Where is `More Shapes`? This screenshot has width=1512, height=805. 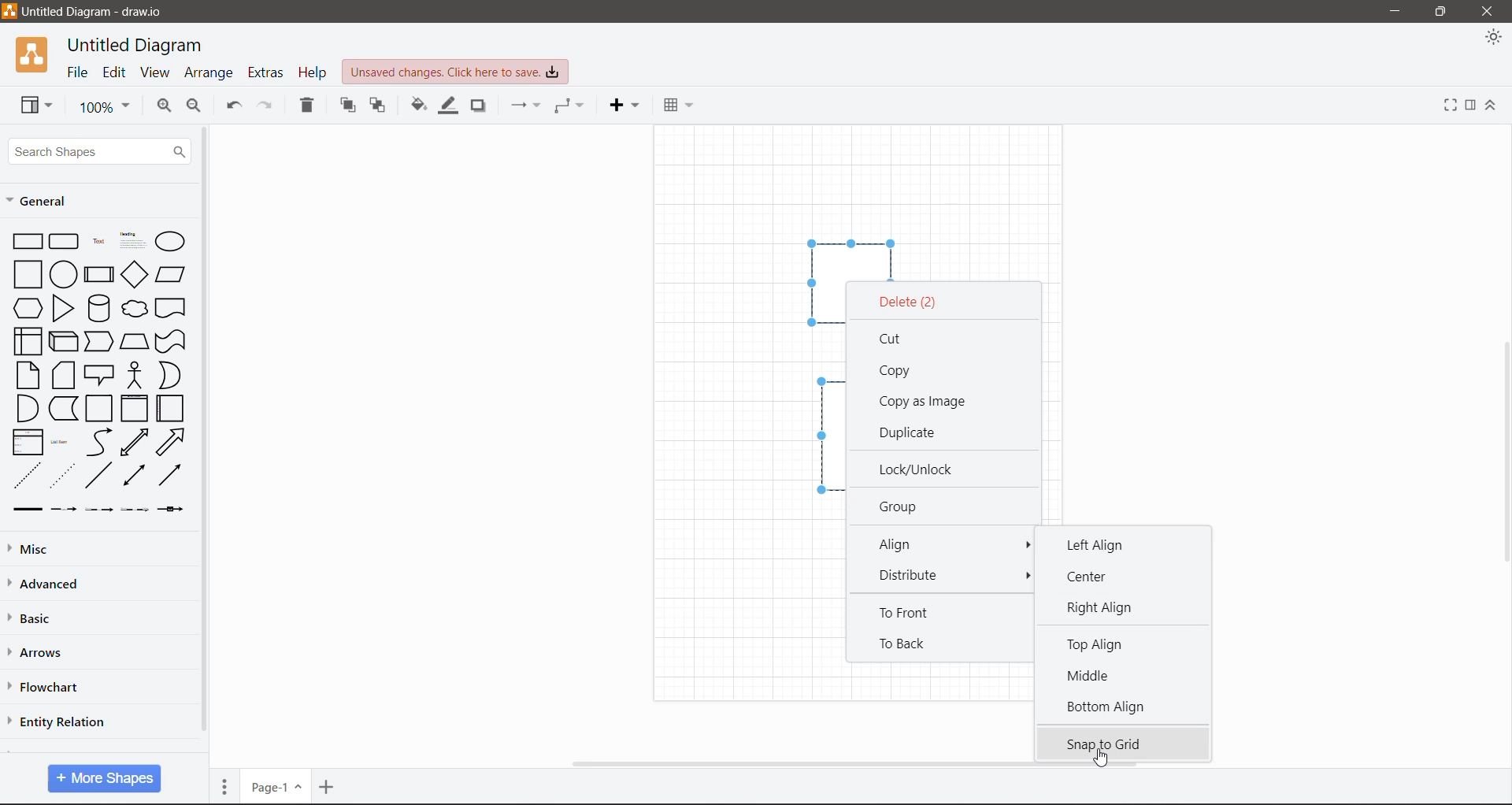
More Shapes is located at coordinates (104, 778).